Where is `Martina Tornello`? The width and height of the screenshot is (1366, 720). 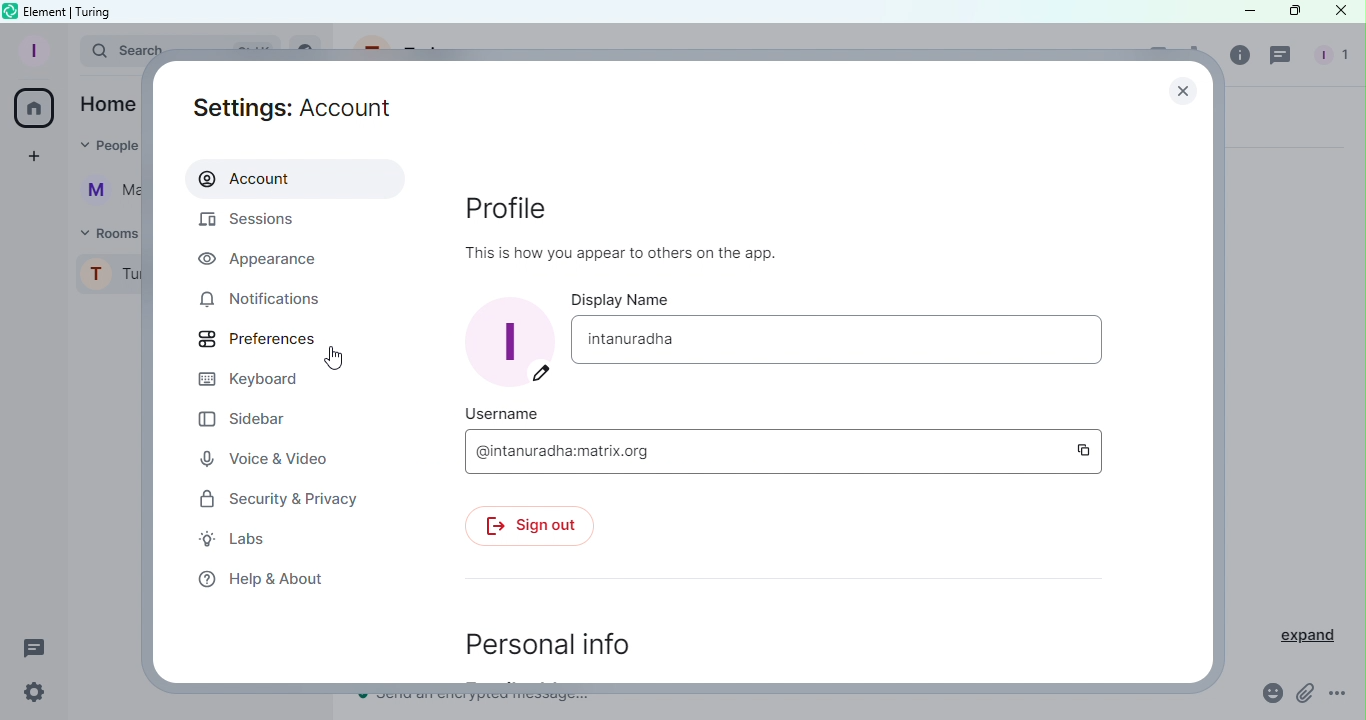 Martina Tornello is located at coordinates (106, 195).